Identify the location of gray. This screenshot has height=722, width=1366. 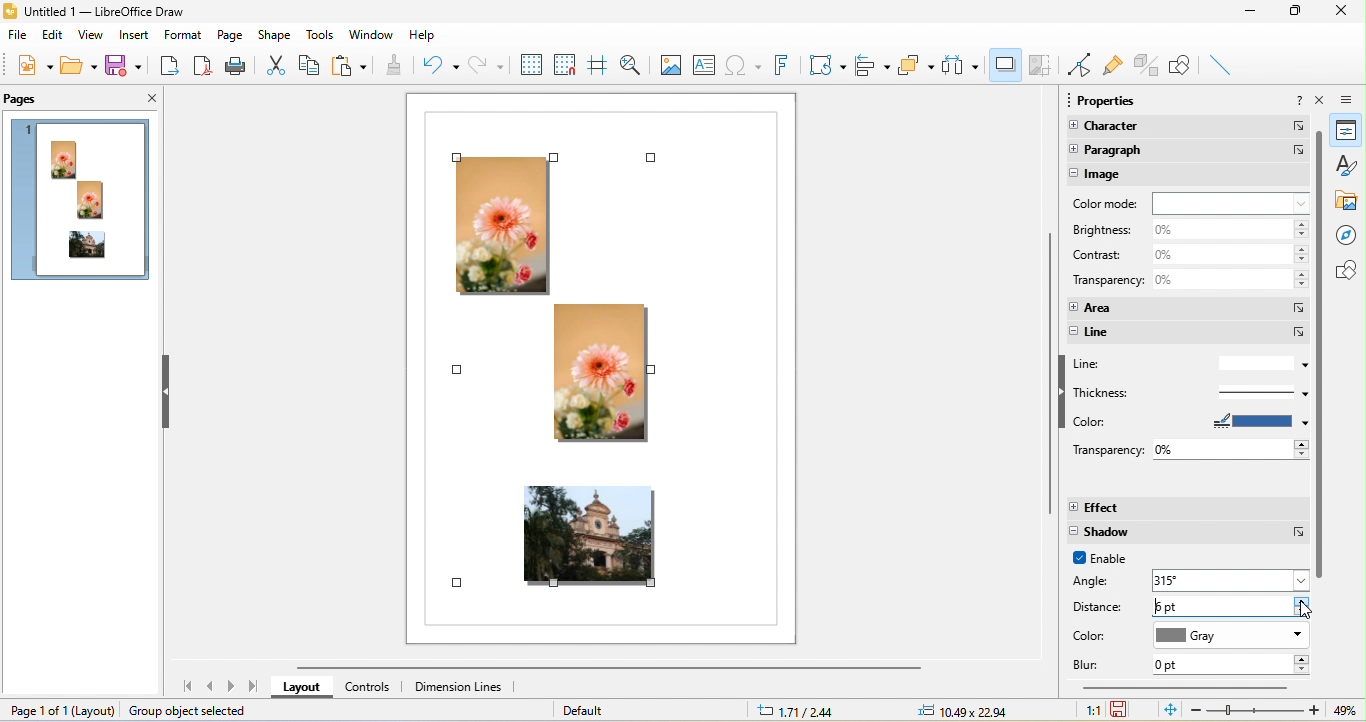
(1231, 637).